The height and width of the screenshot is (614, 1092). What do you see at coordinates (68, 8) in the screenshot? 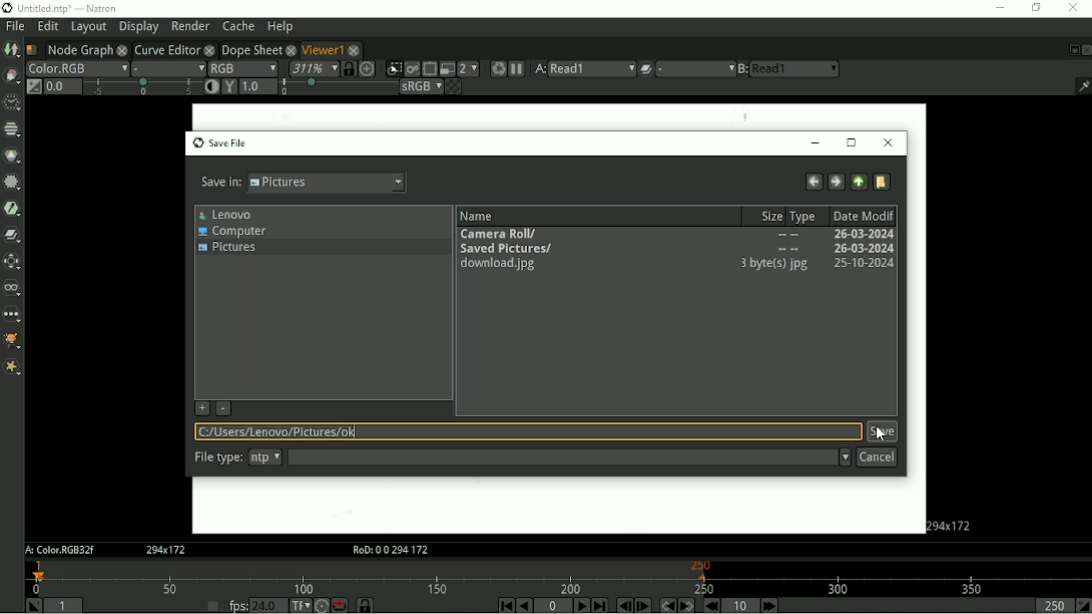
I see `title` at bounding box center [68, 8].